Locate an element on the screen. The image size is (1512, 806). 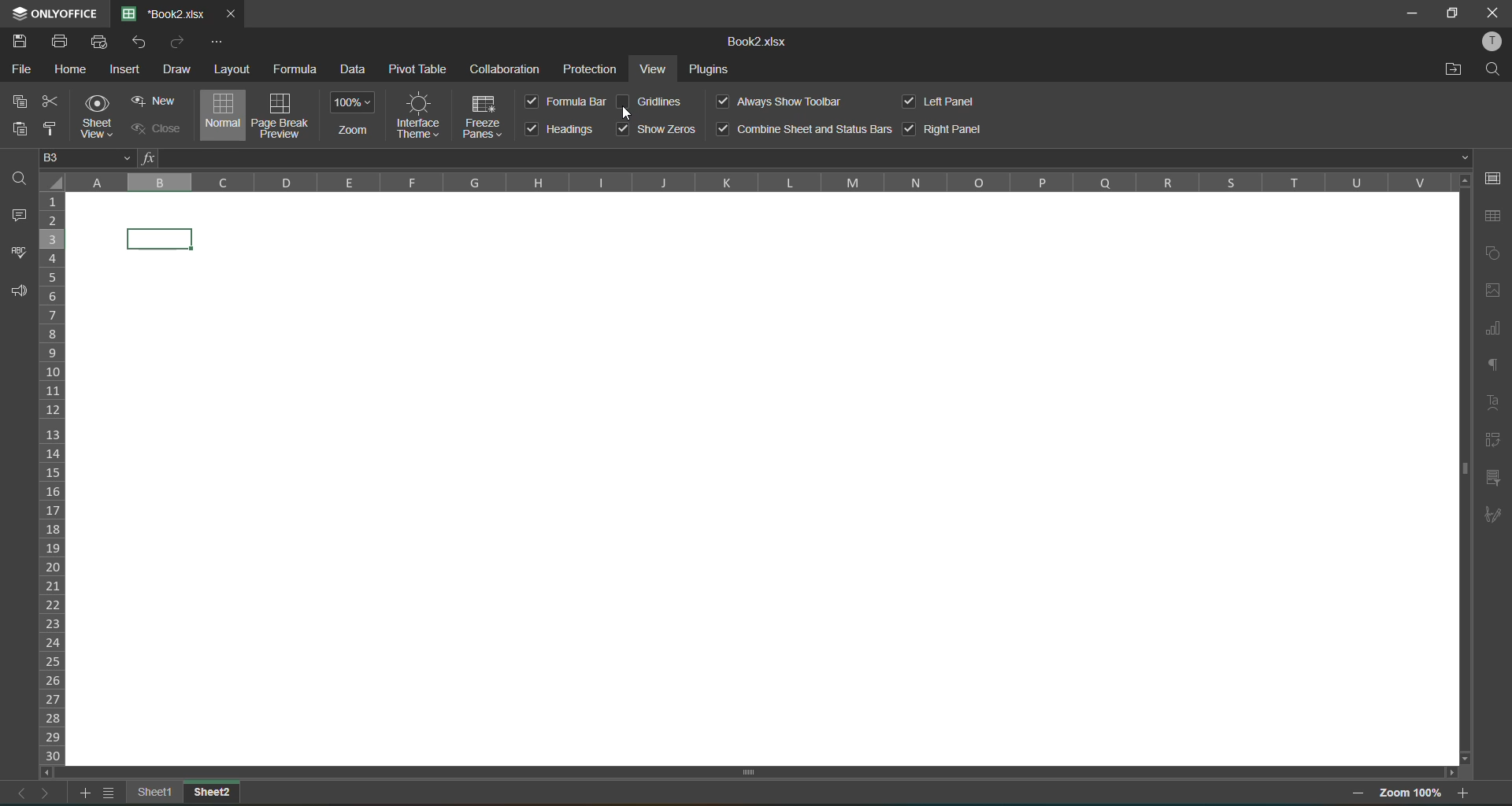
profile is located at coordinates (1493, 42).